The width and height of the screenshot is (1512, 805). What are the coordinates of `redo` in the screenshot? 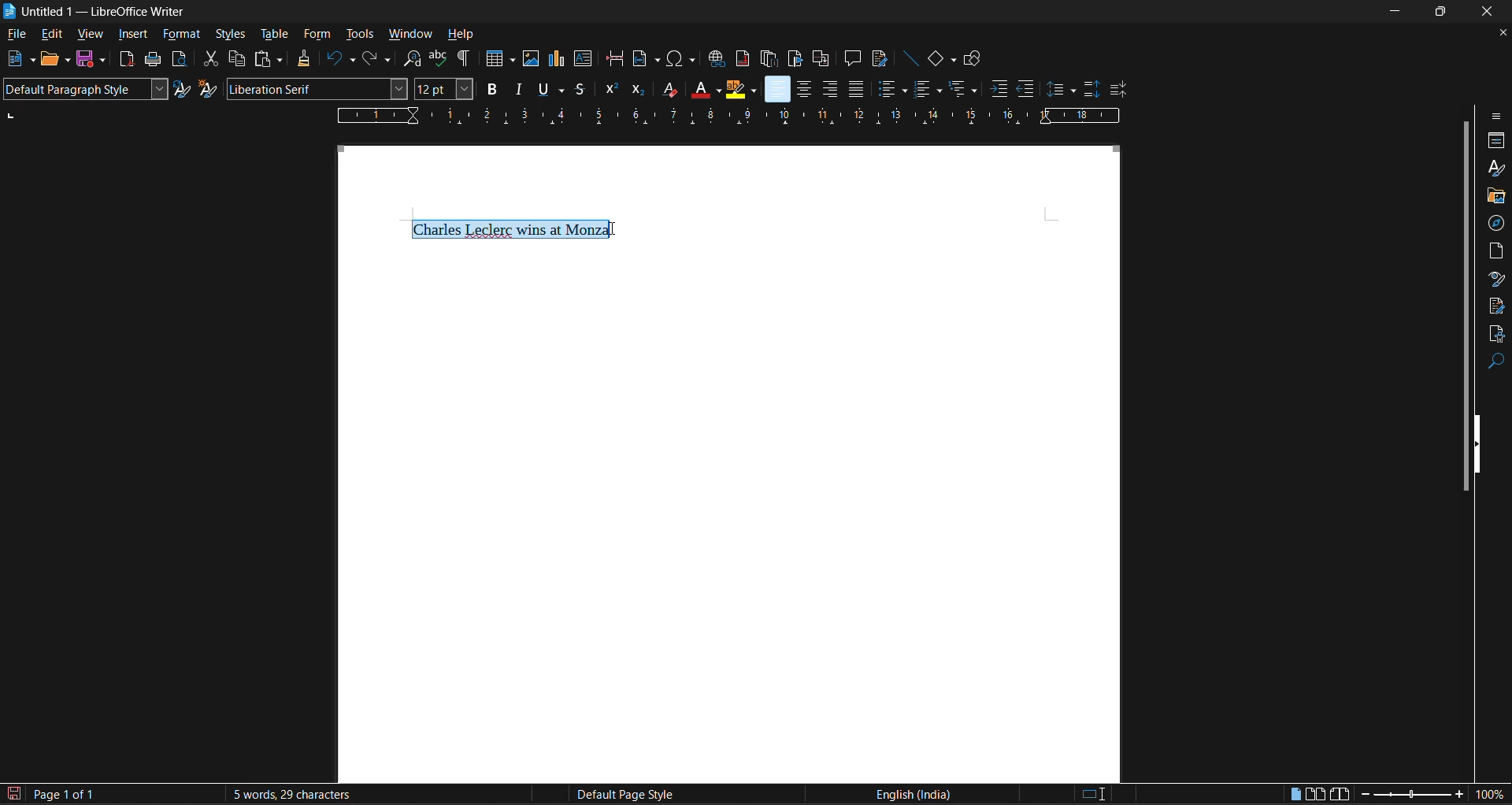 It's located at (376, 59).